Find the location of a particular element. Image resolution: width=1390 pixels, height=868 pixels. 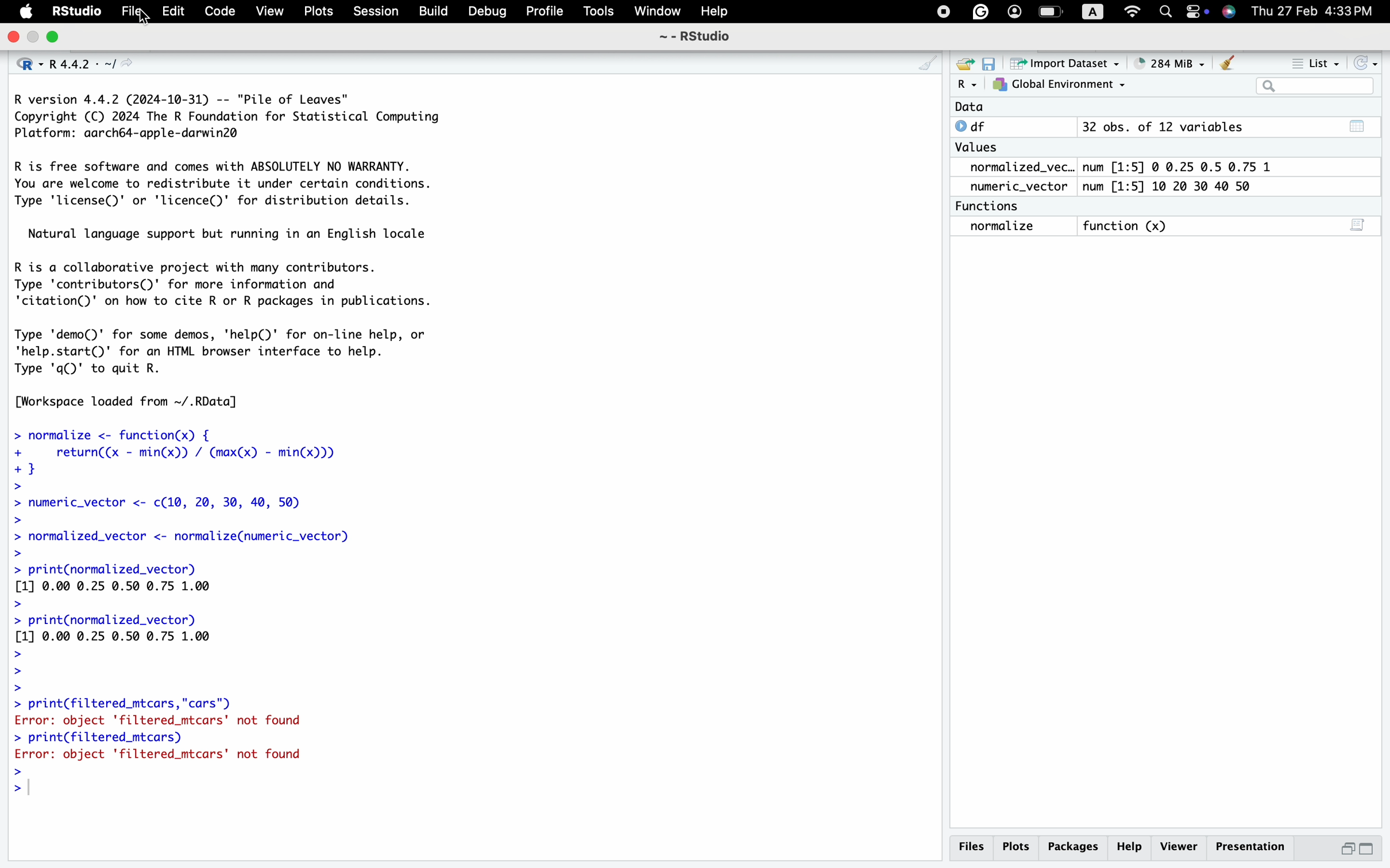

Window is located at coordinates (656, 12).